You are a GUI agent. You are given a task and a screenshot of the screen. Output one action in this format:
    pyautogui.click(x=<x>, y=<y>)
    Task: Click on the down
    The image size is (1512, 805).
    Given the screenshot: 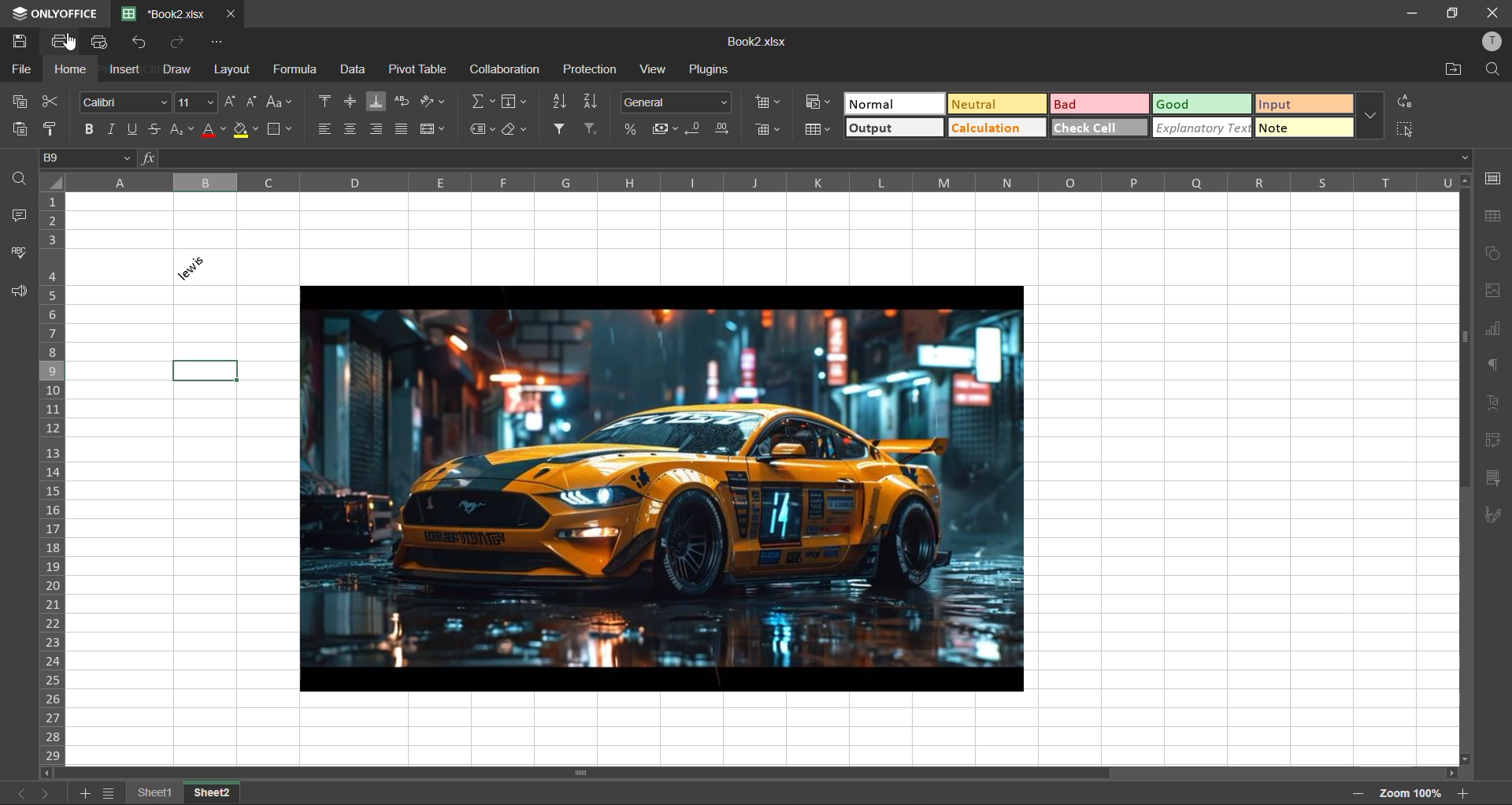 What is the action you would take?
    pyautogui.click(x=1465, y=158)
    